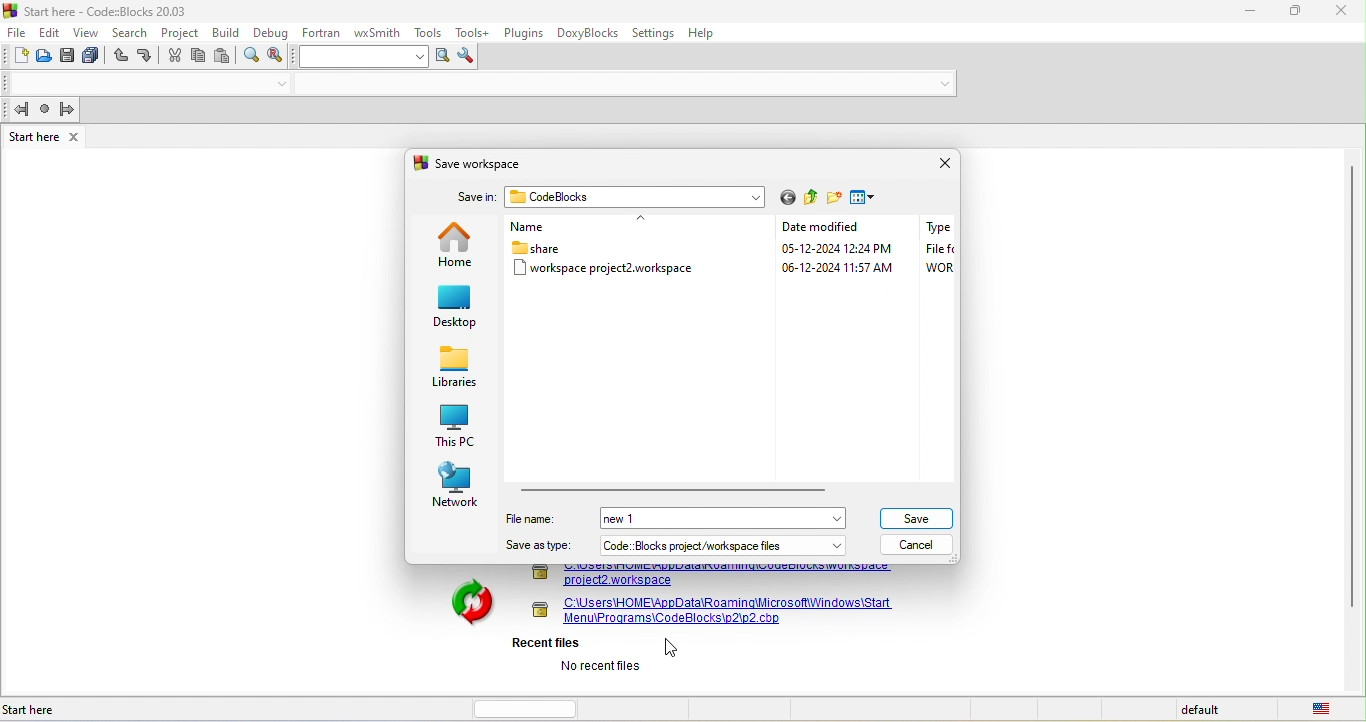  What do you see at coordinates (675, 488) in the screenshot?
I see `horizontal scroll bar` at bounding box center [675, 488].